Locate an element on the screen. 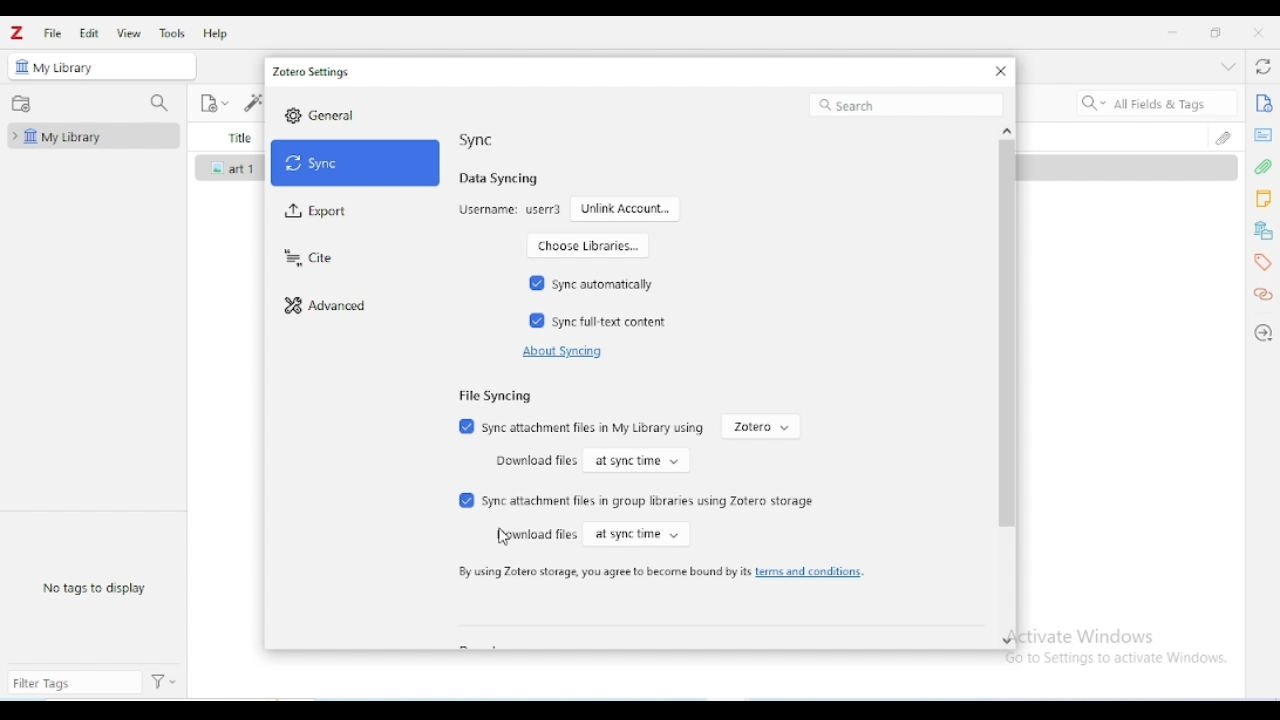  new item is located at coordinates (214, 104).